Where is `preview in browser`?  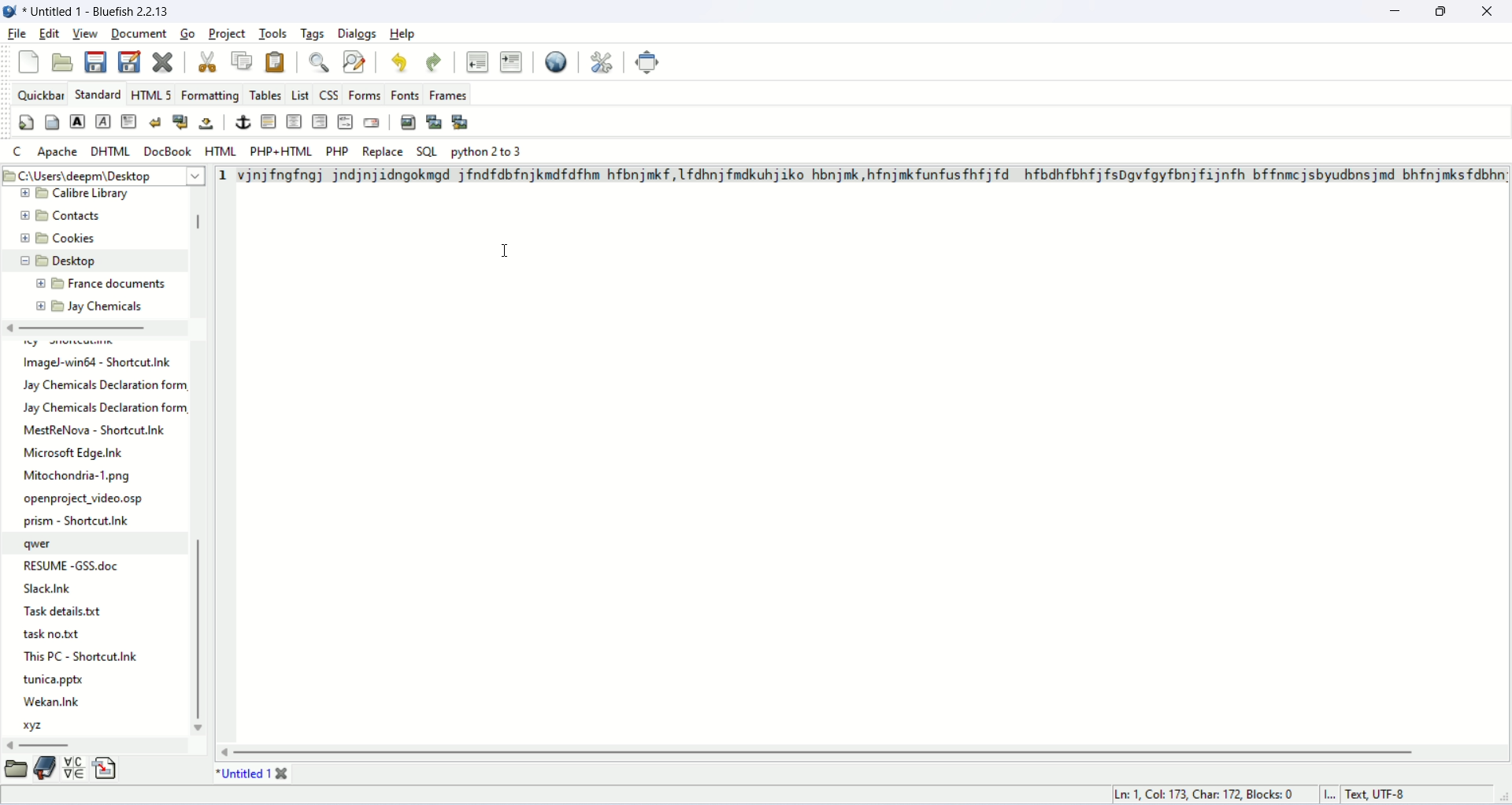
preview in browser is located at coordinates (557, 62).